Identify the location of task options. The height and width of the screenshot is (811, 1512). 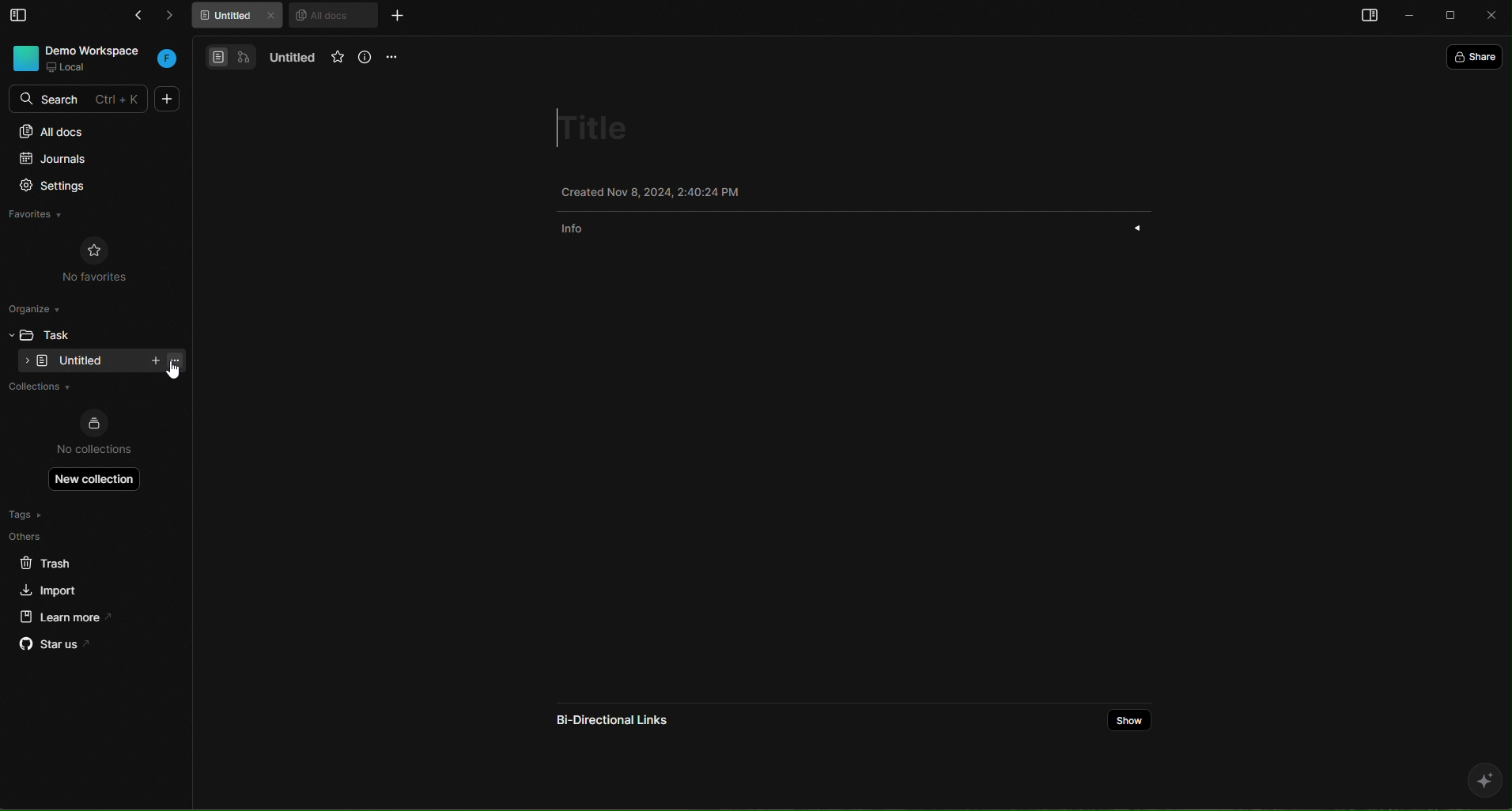
(176, 360).